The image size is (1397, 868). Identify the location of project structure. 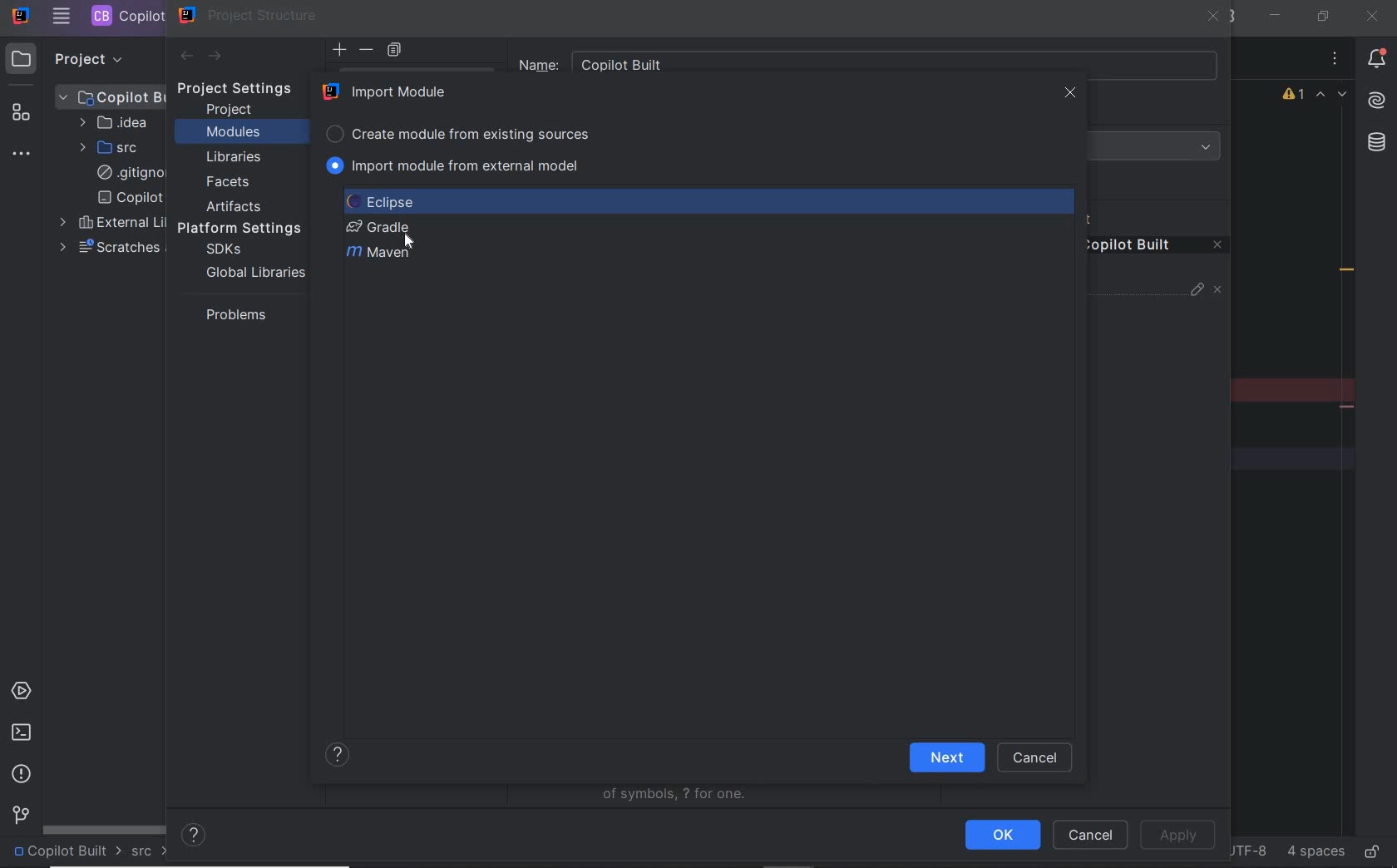
(249, 15).